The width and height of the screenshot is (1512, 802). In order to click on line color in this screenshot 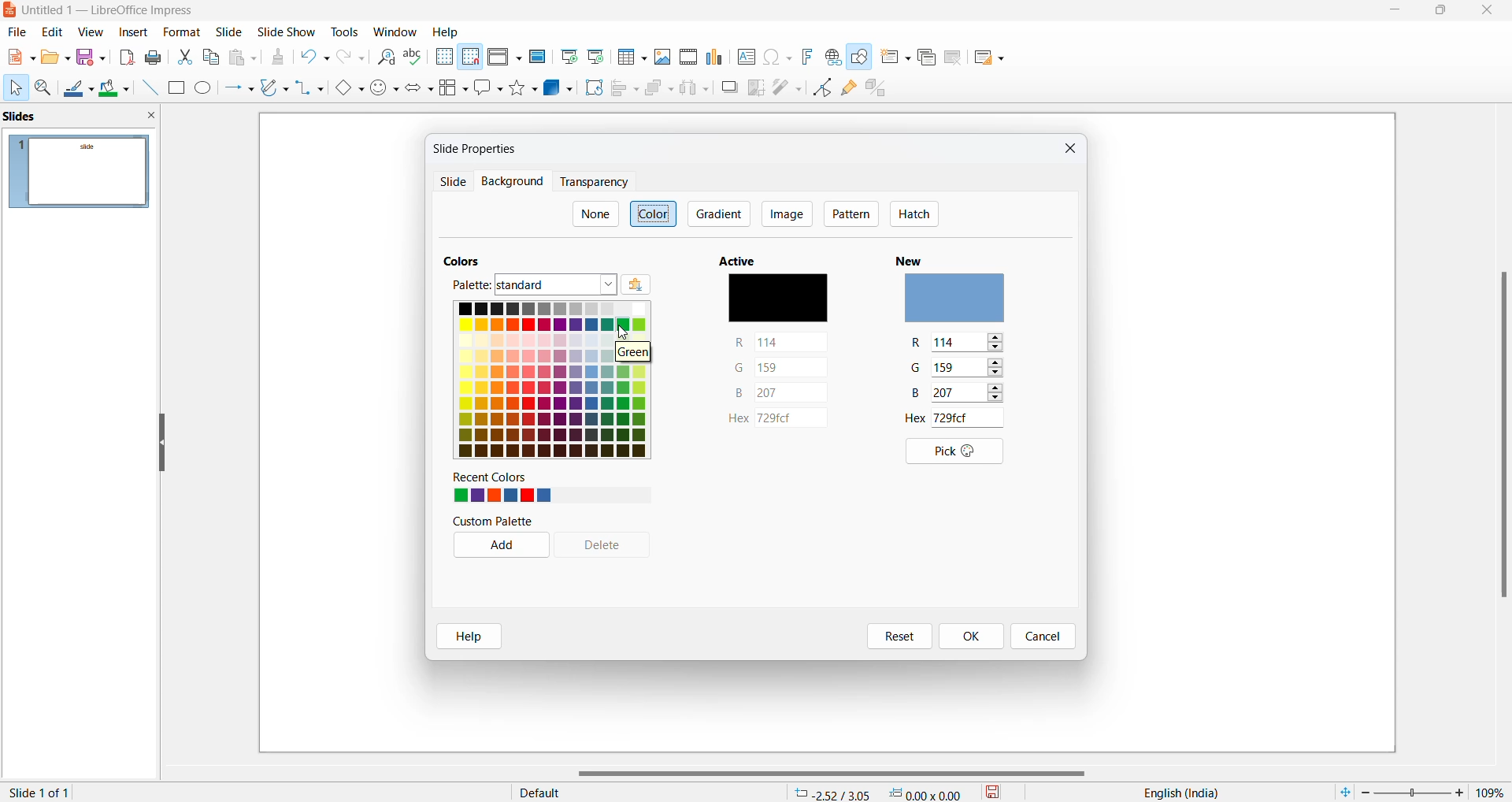, I will do `click(79, 90)`.